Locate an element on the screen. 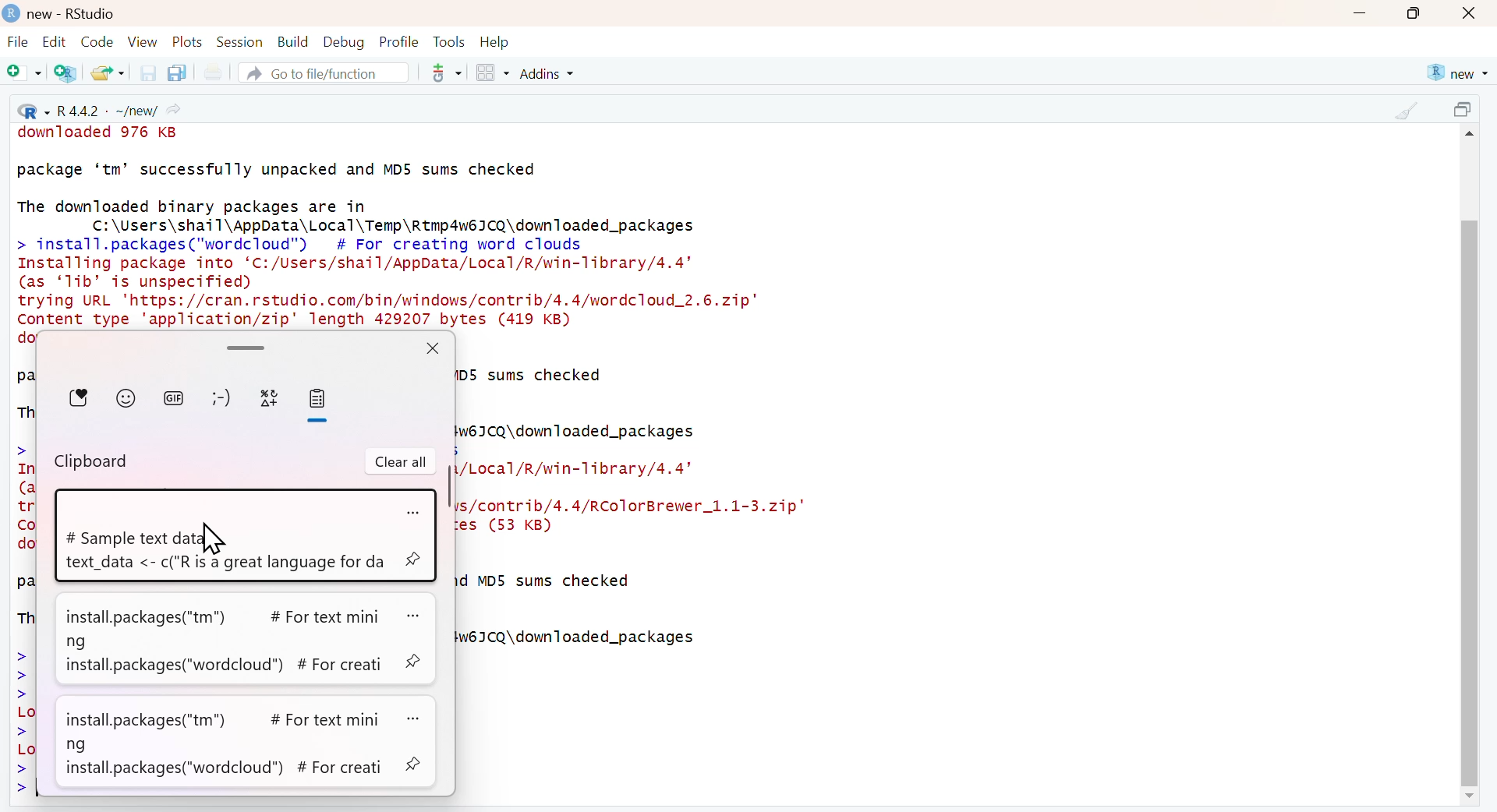  scroll bar is located at coordinates (1468, 502).